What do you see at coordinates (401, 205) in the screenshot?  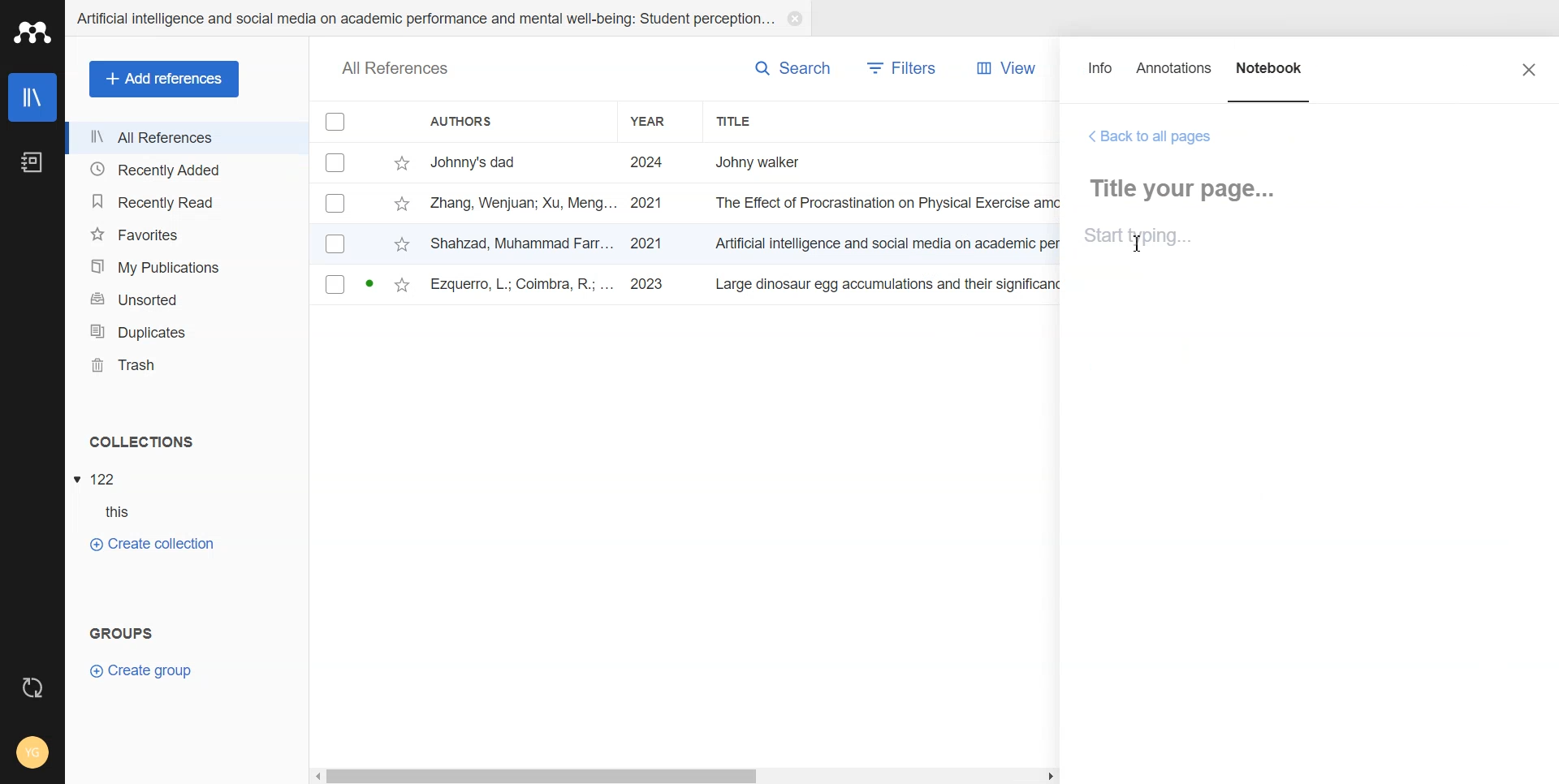 I see `star` at bounding box center [401, 205].